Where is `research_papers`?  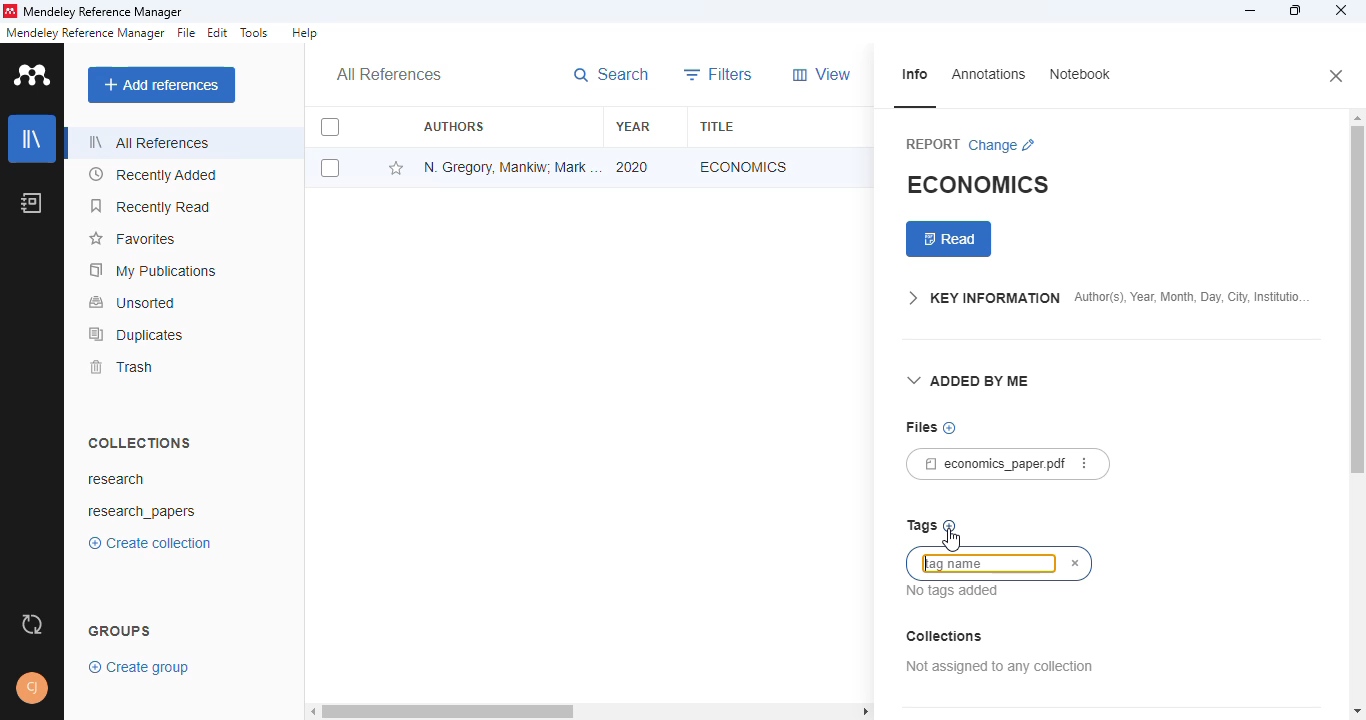 research_papers is located at coordinates (141, 512).